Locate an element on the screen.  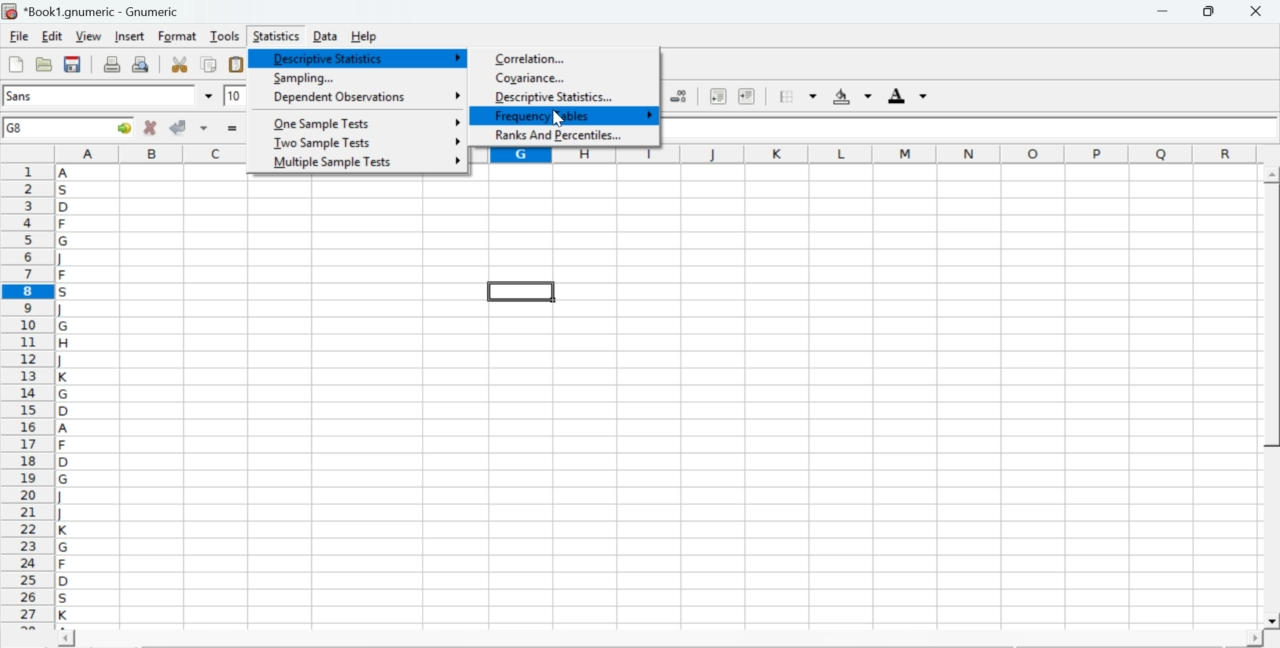
10 is located at coordinates (235, 96).